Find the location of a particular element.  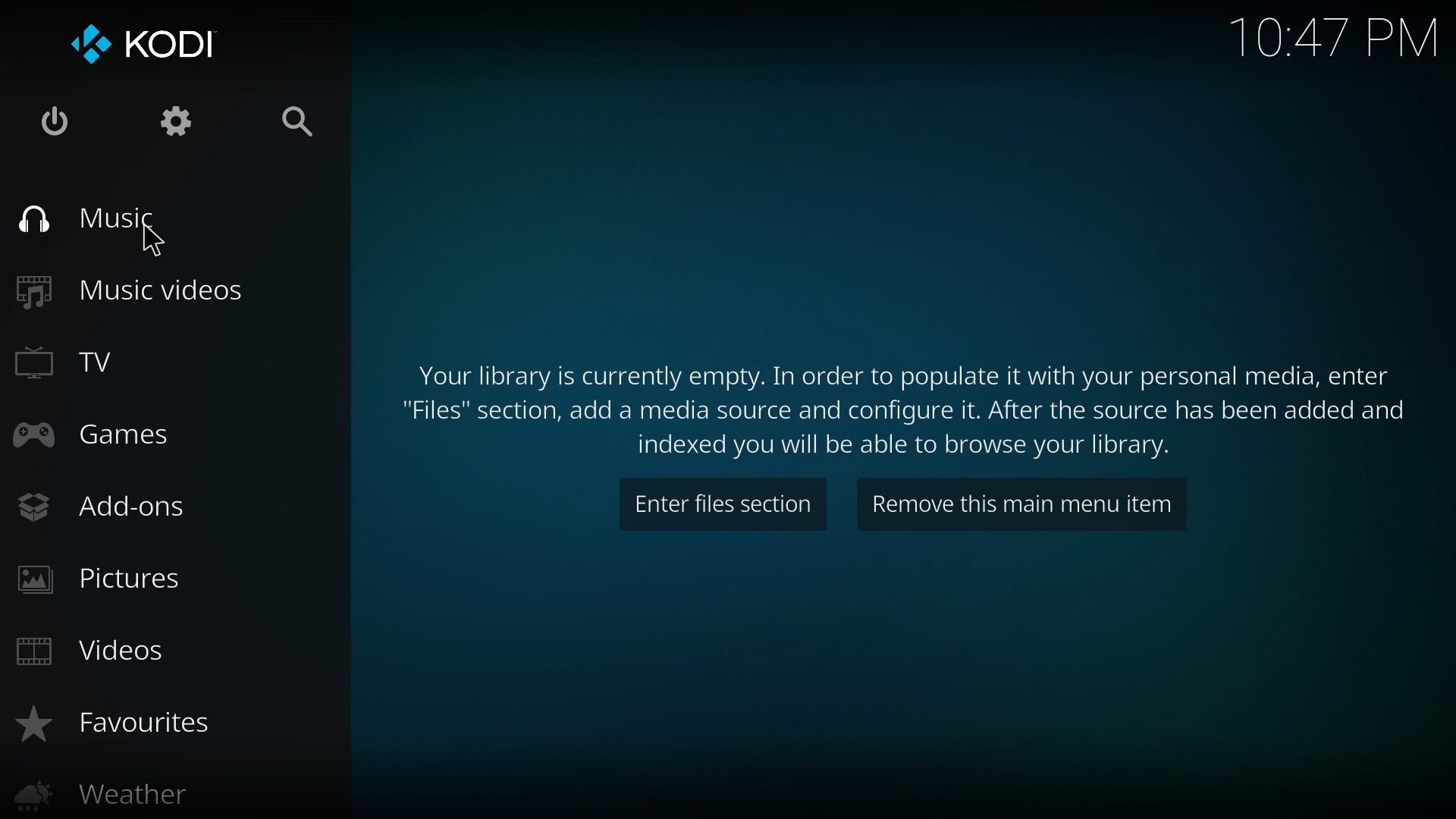

pictures is located at coordinates (135, 582).